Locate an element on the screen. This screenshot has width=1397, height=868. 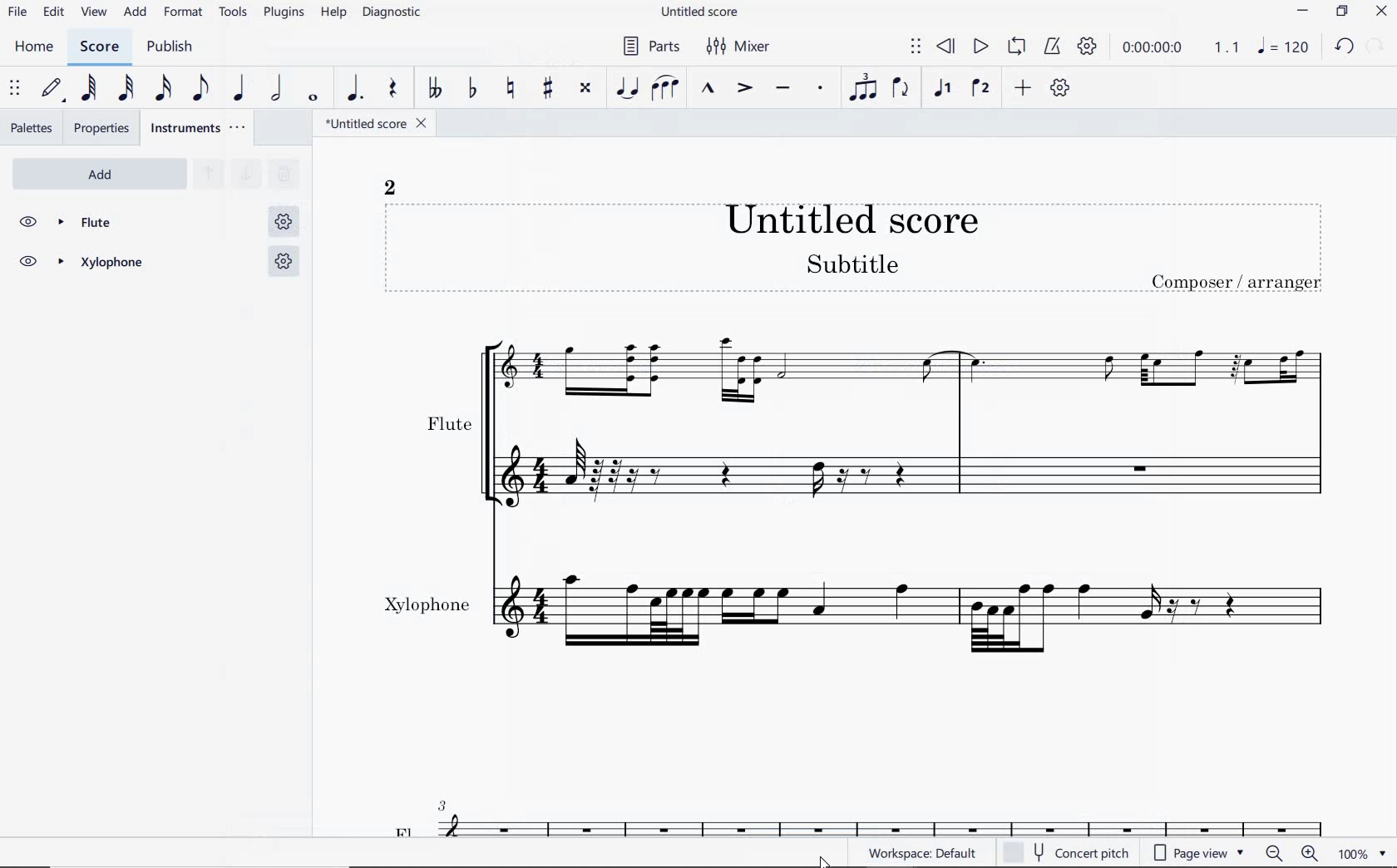
REWIND is located at coordinates (947, 47).